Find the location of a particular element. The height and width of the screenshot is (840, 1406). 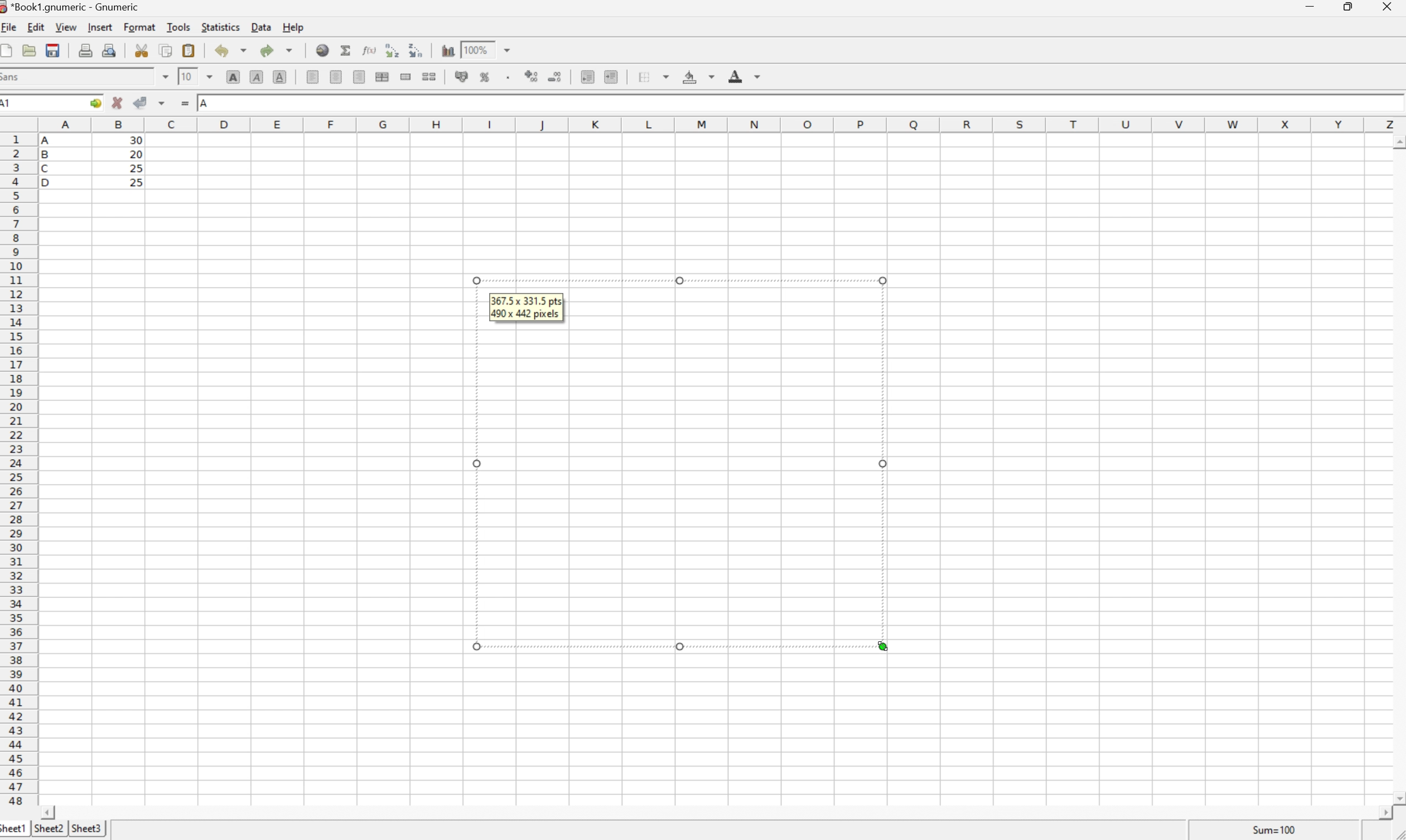

A is located at coordinates (205, 104).